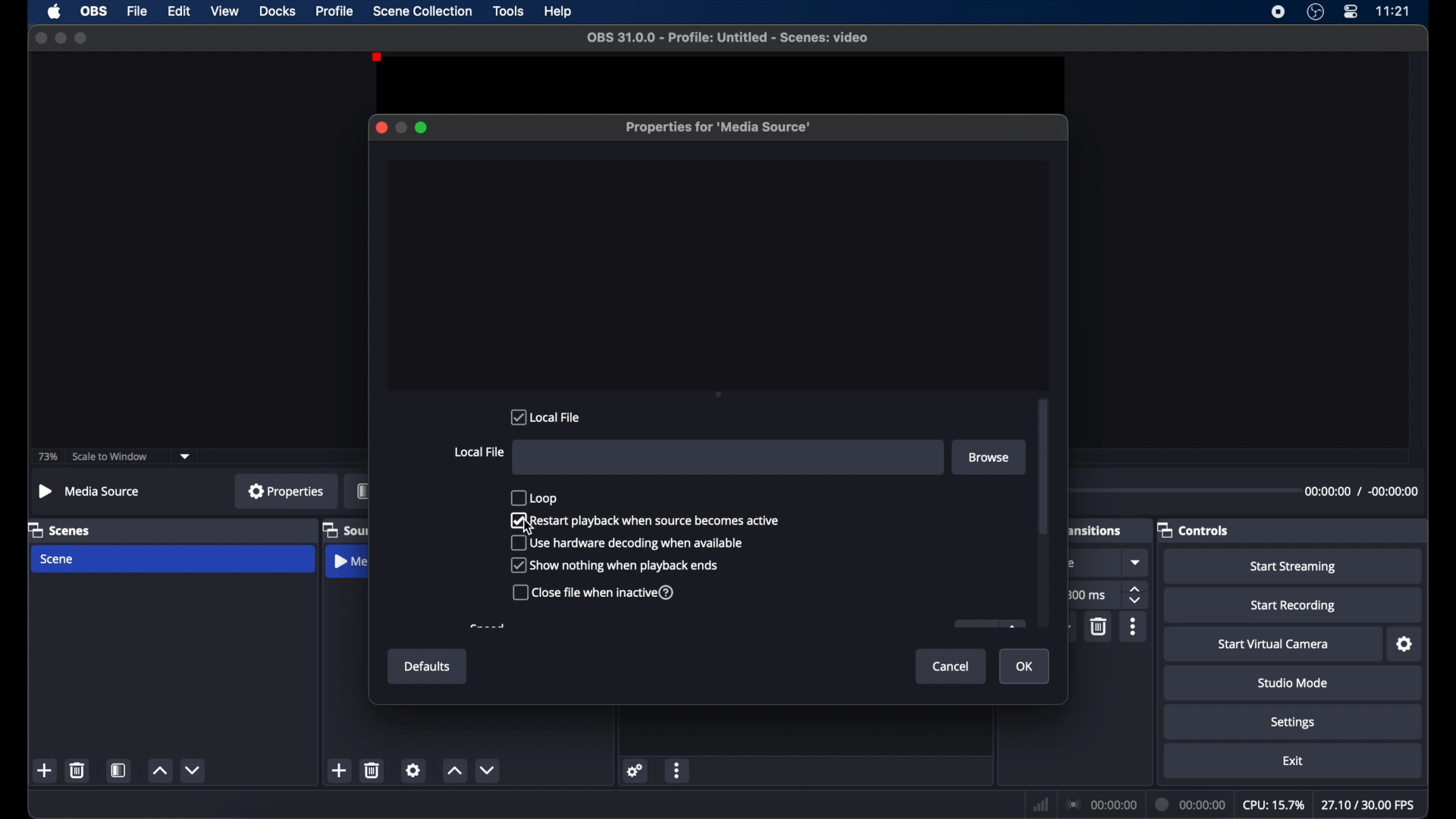 The image size is (1456, 819). What do you see at coordinates (1394, 11) in the screenshot?
I see `time` at bounding box center [1394, 11].